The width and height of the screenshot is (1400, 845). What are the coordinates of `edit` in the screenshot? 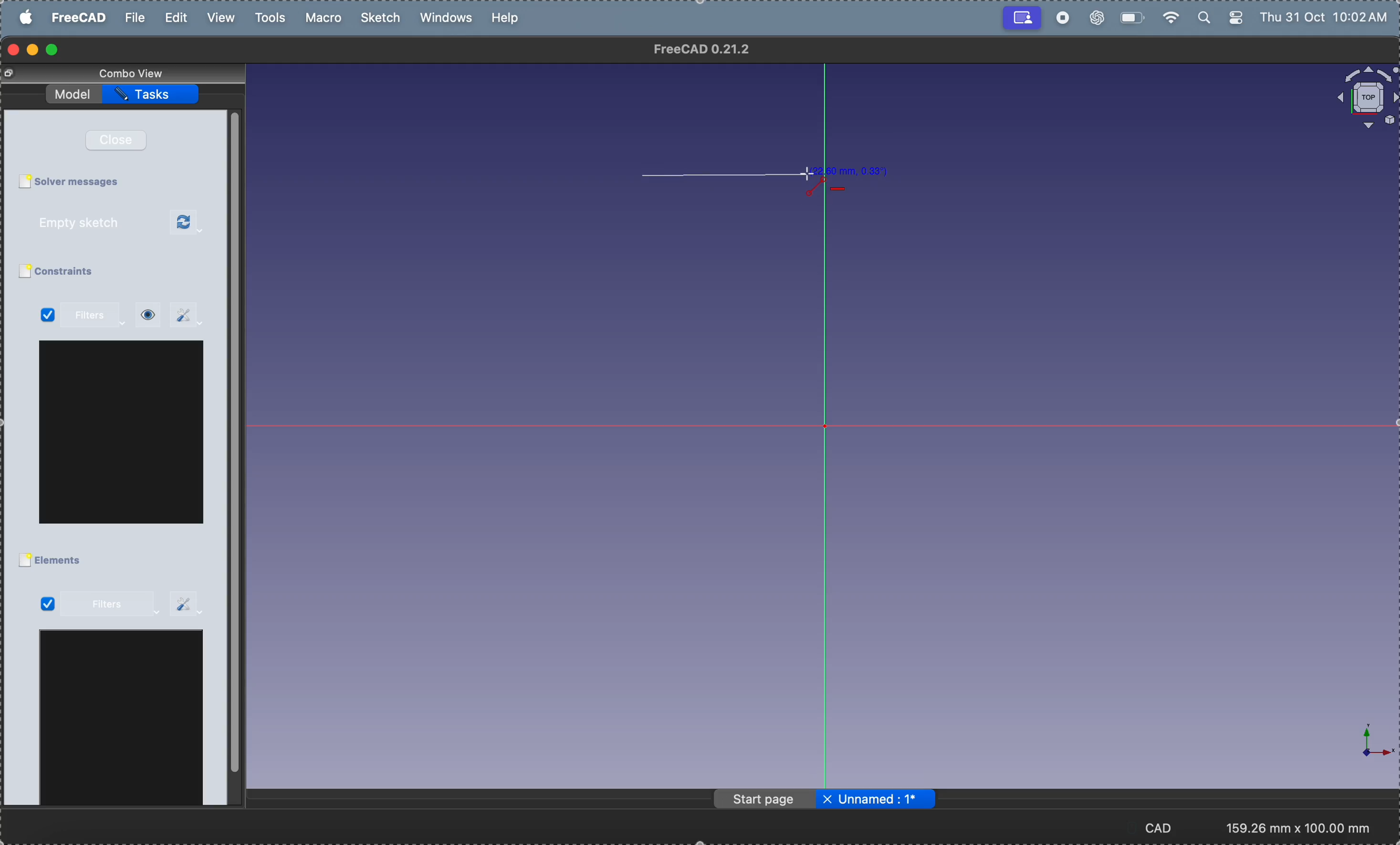 It's located at (178, 18).